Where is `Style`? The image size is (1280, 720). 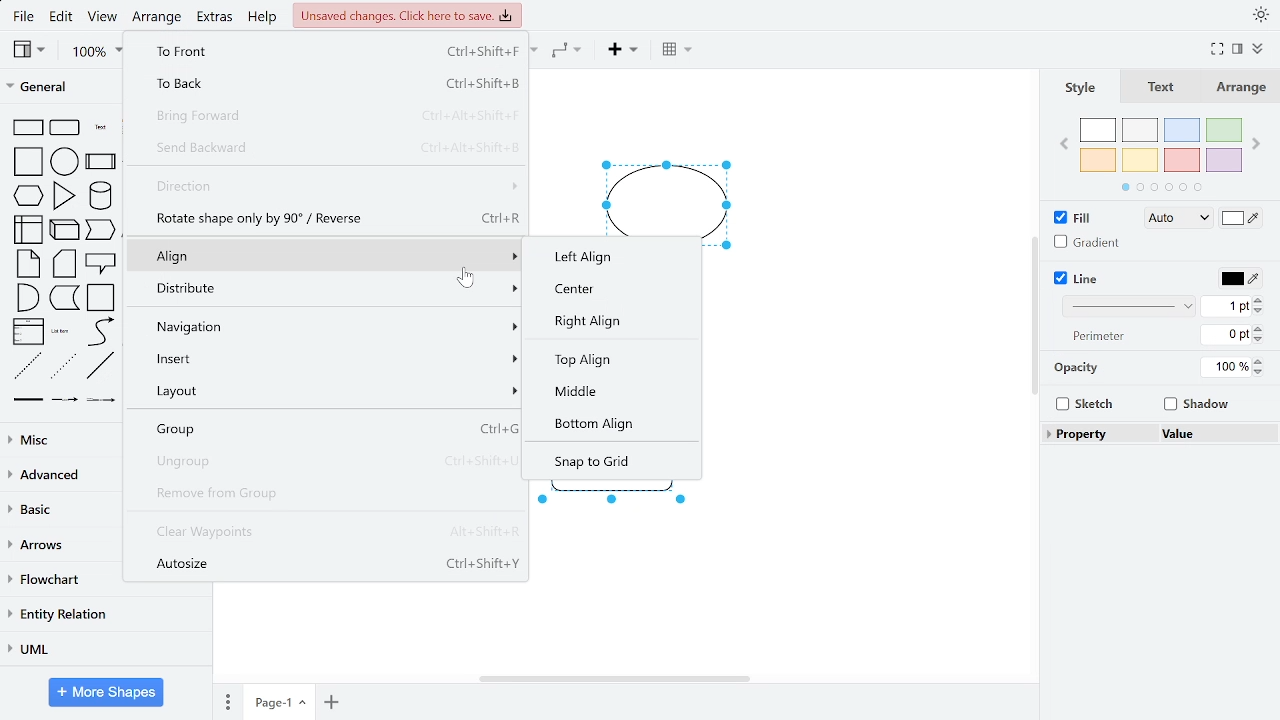
Style is located at coordinates (1081, 87).